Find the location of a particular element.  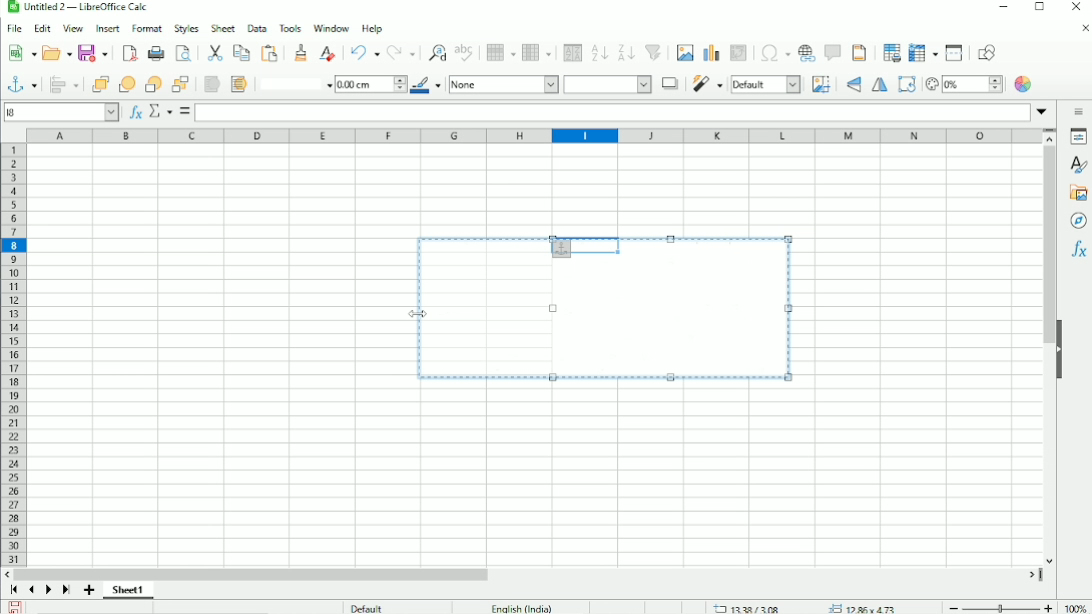

Insert comment is located at coordinates (832, 52).